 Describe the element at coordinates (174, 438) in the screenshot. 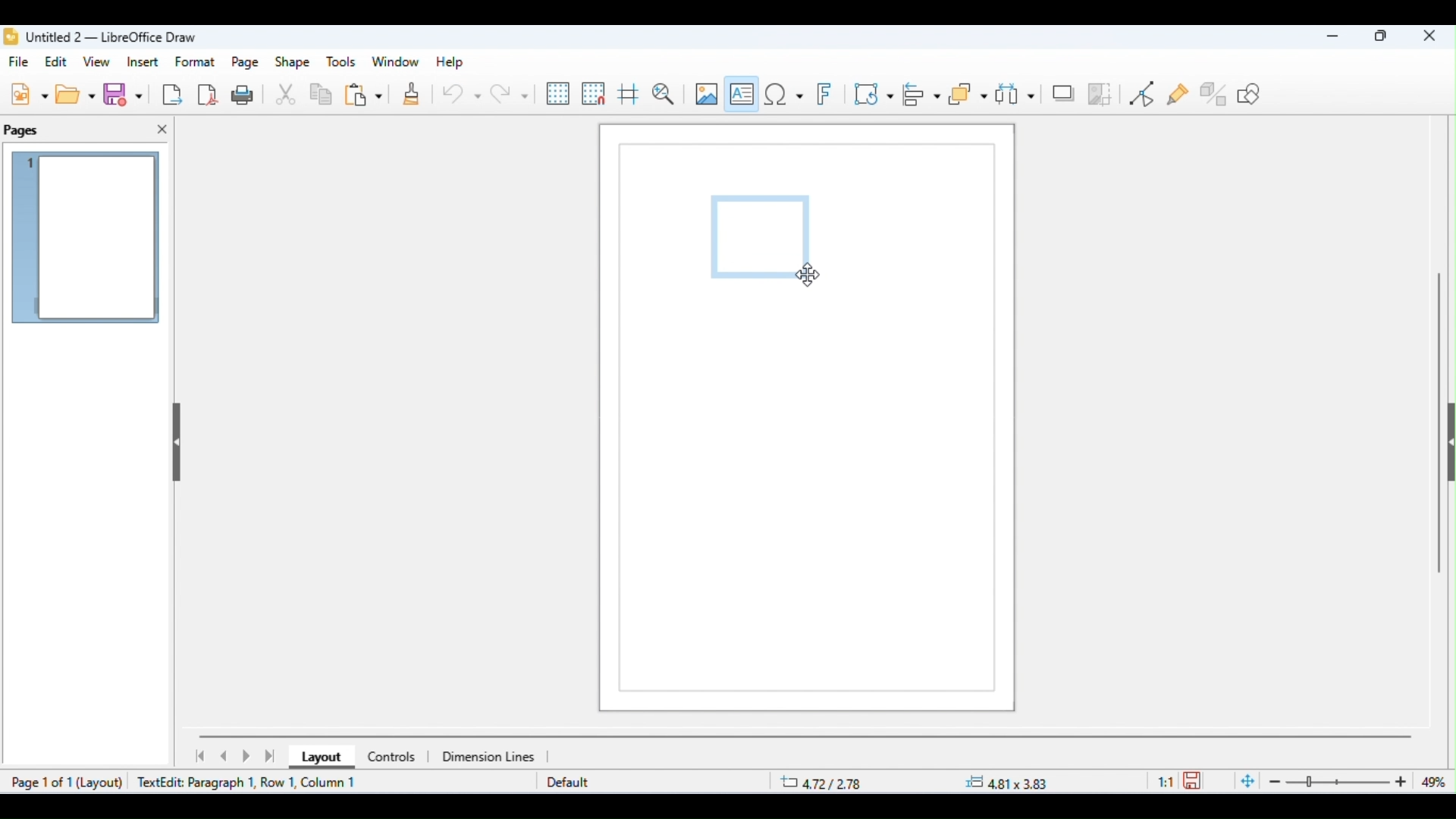

I see `hide` at that location.